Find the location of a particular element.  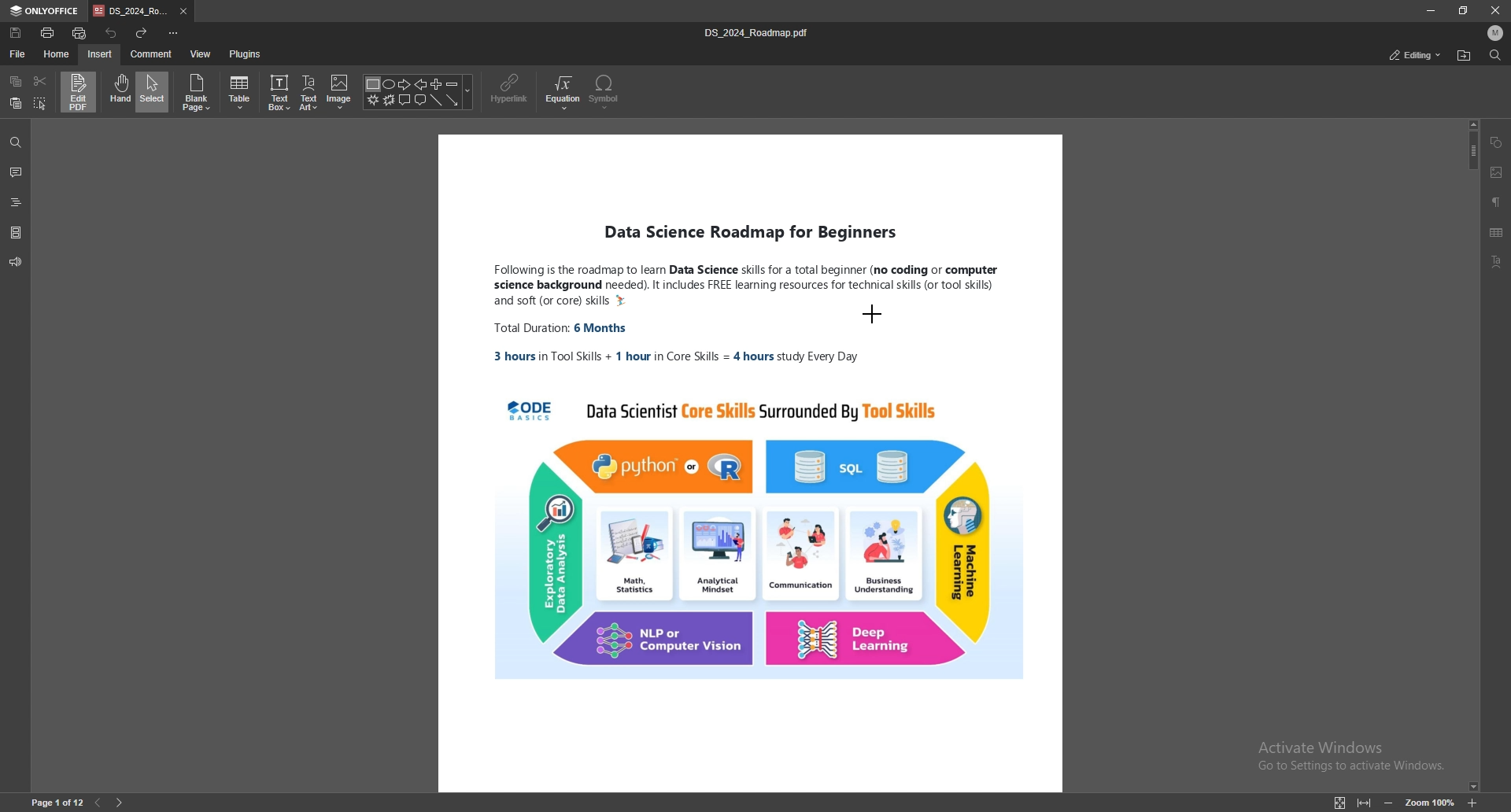

select is located at coordinates (153, 91).